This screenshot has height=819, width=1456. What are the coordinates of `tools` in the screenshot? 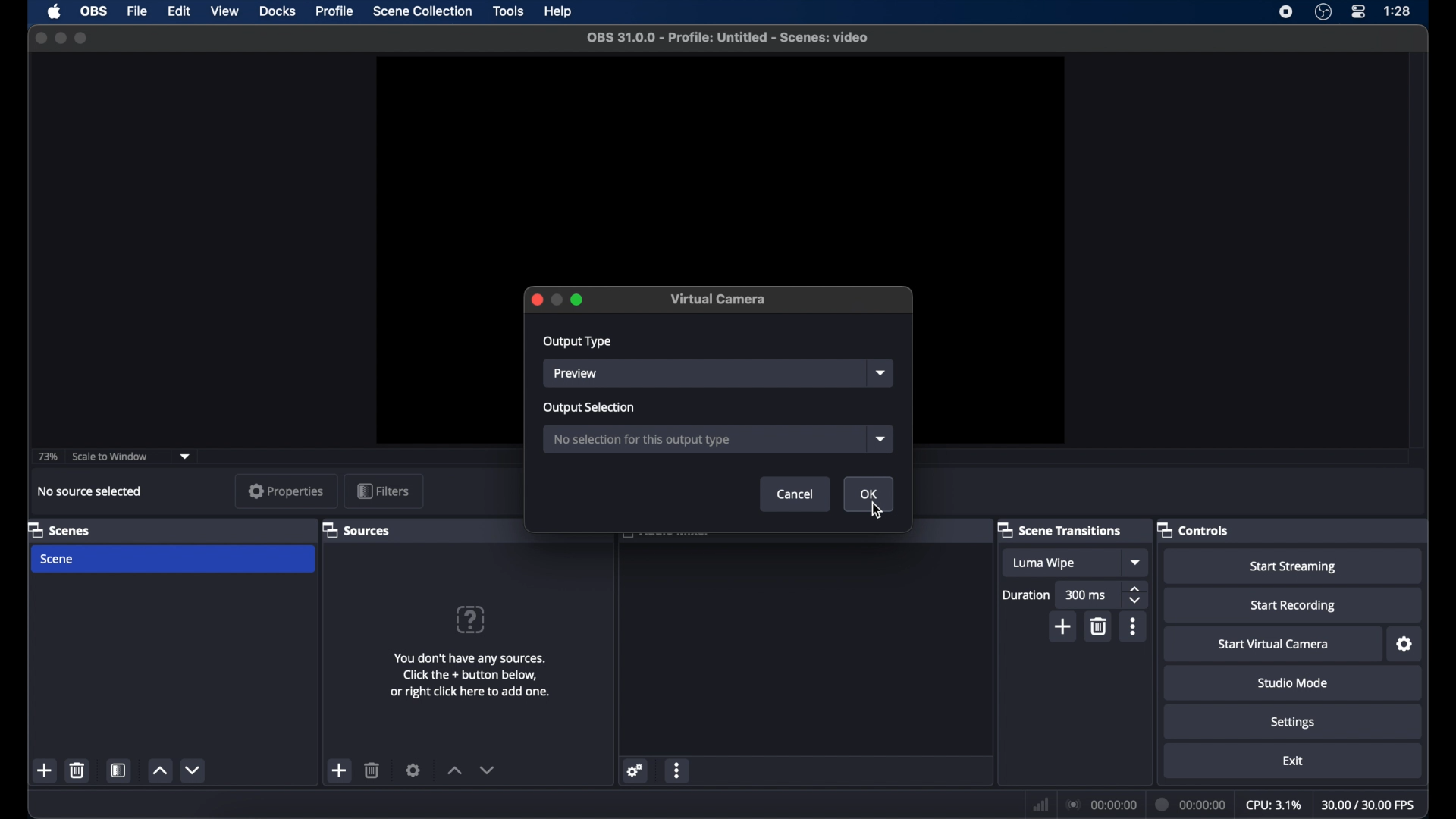 It's located at (509, 10).